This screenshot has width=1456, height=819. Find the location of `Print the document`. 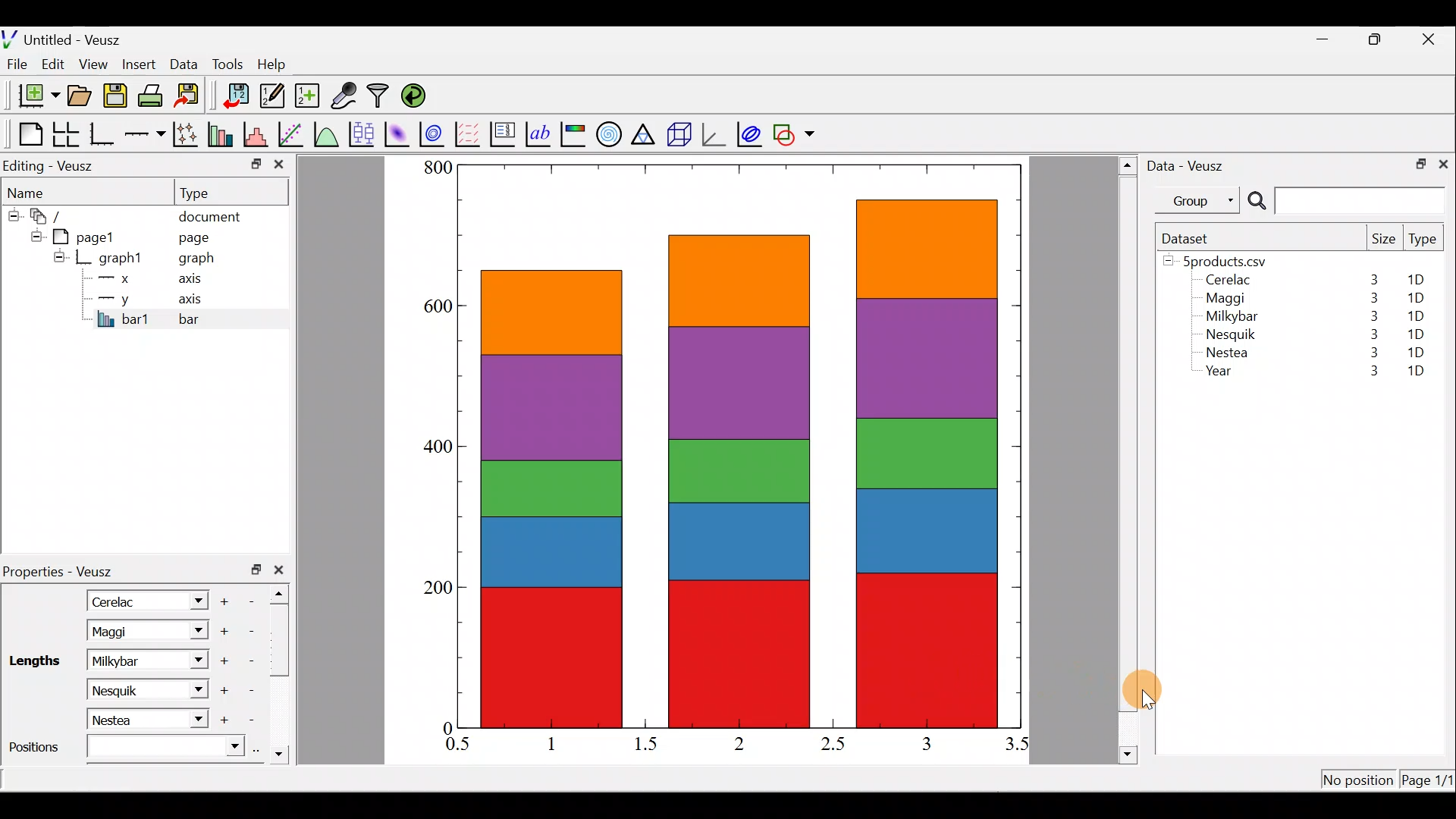

Print the document is located at coordinates (155, 95).